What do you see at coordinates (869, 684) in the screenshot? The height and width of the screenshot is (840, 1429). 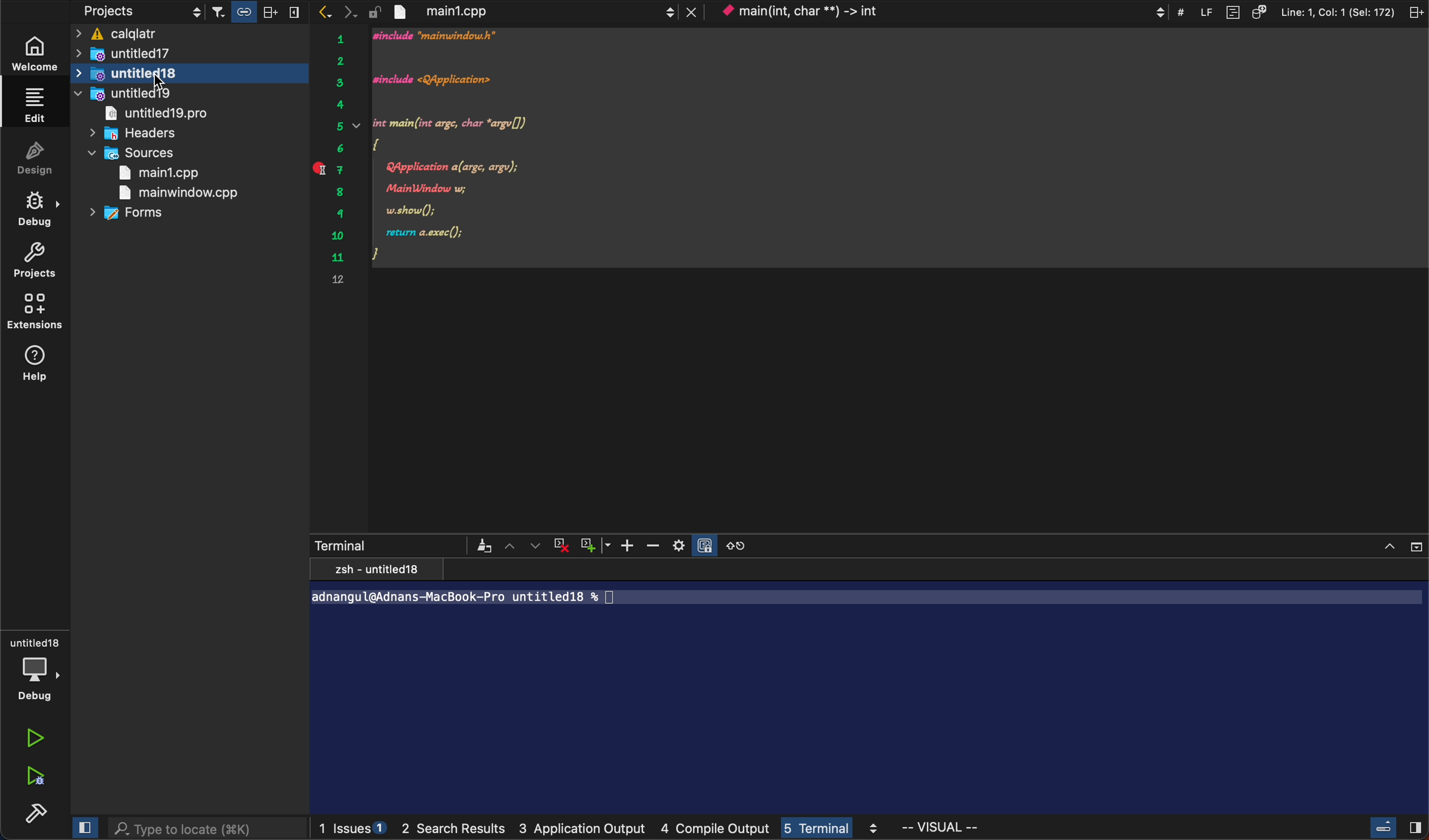 I see `terminal` at bounding box center [869, 684].